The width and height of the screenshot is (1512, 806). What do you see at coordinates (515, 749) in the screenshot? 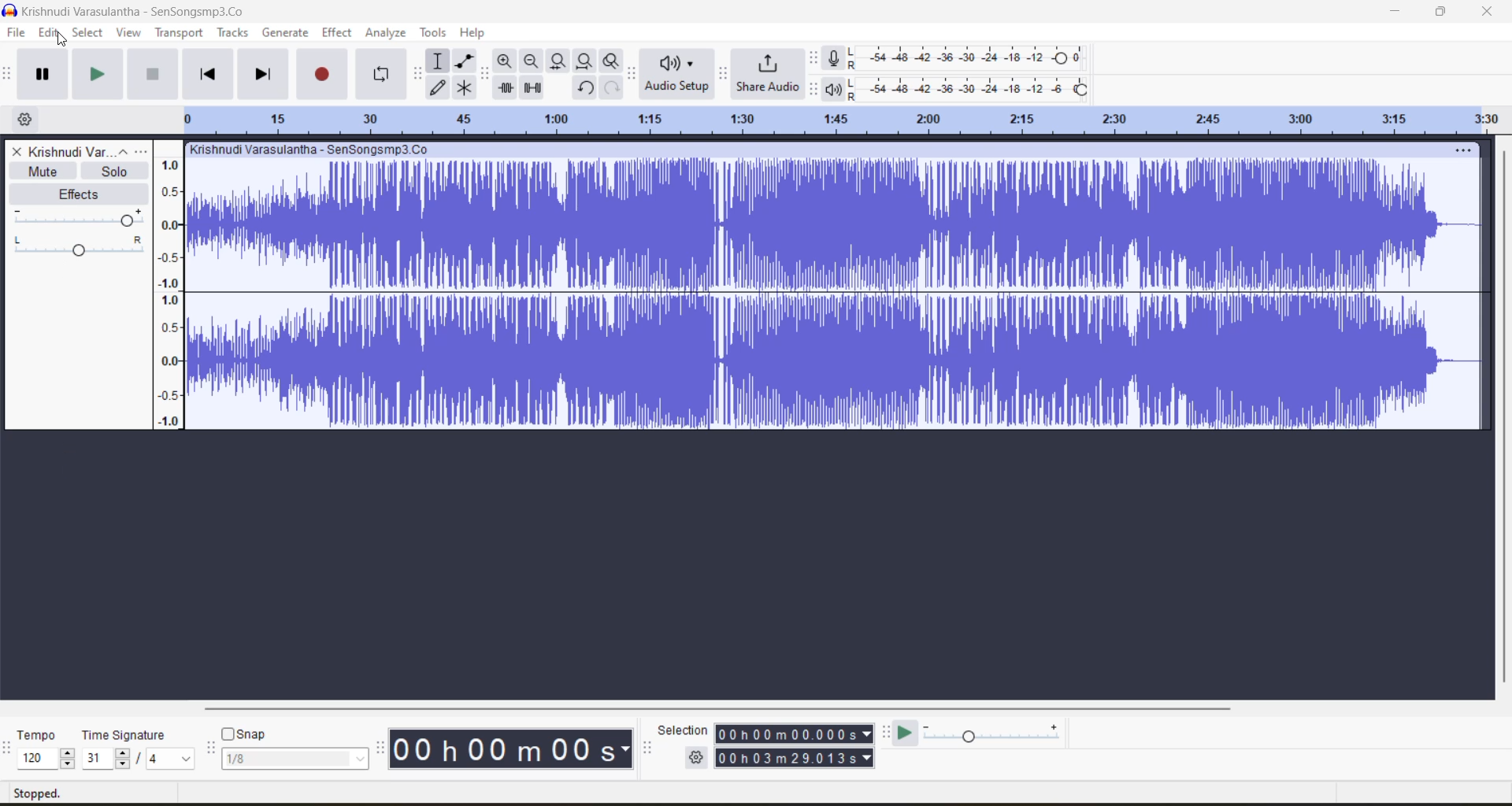
I see `time ` at bounding box center [515, 749].